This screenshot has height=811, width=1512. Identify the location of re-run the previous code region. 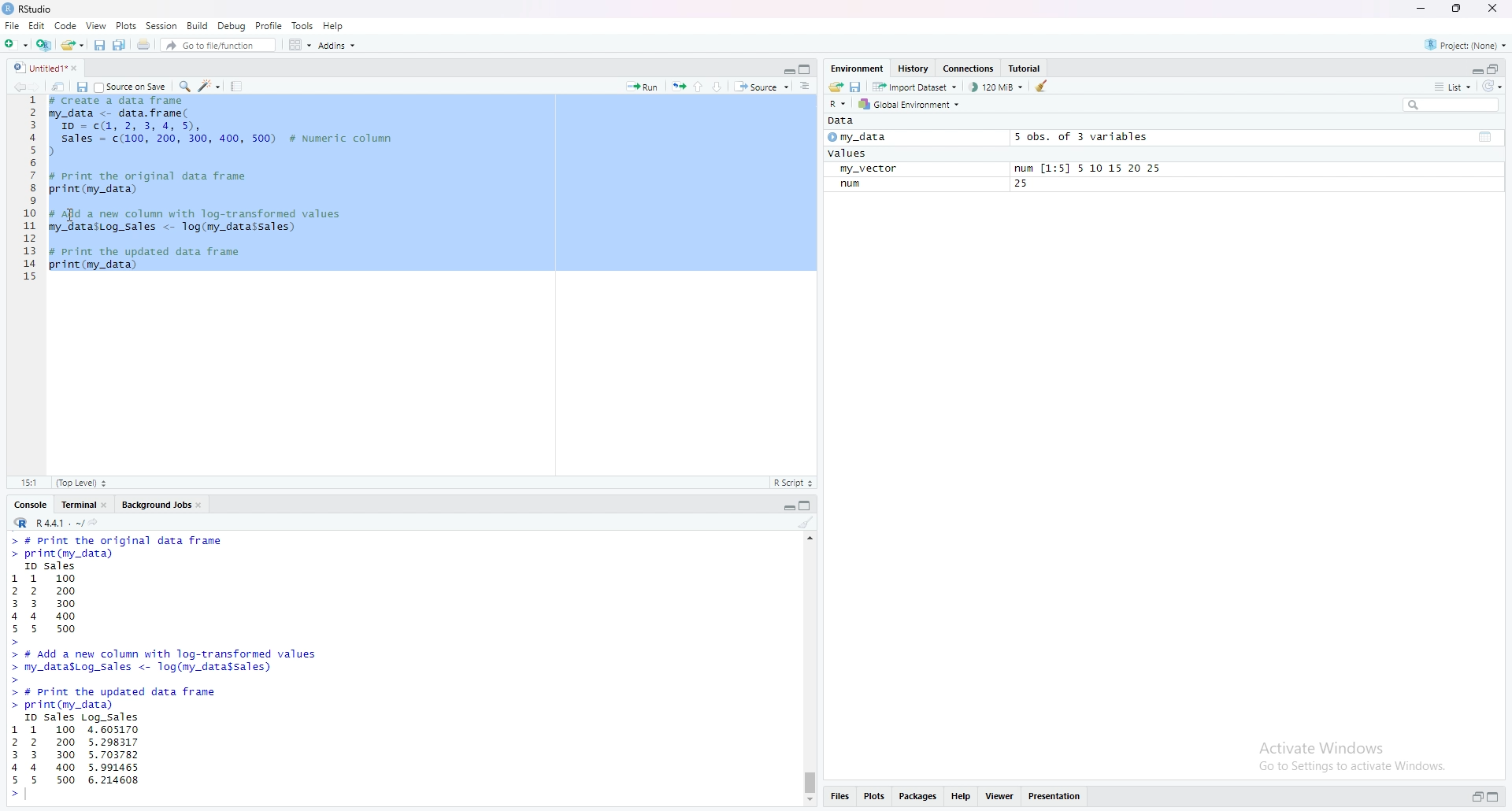
(677, 87).